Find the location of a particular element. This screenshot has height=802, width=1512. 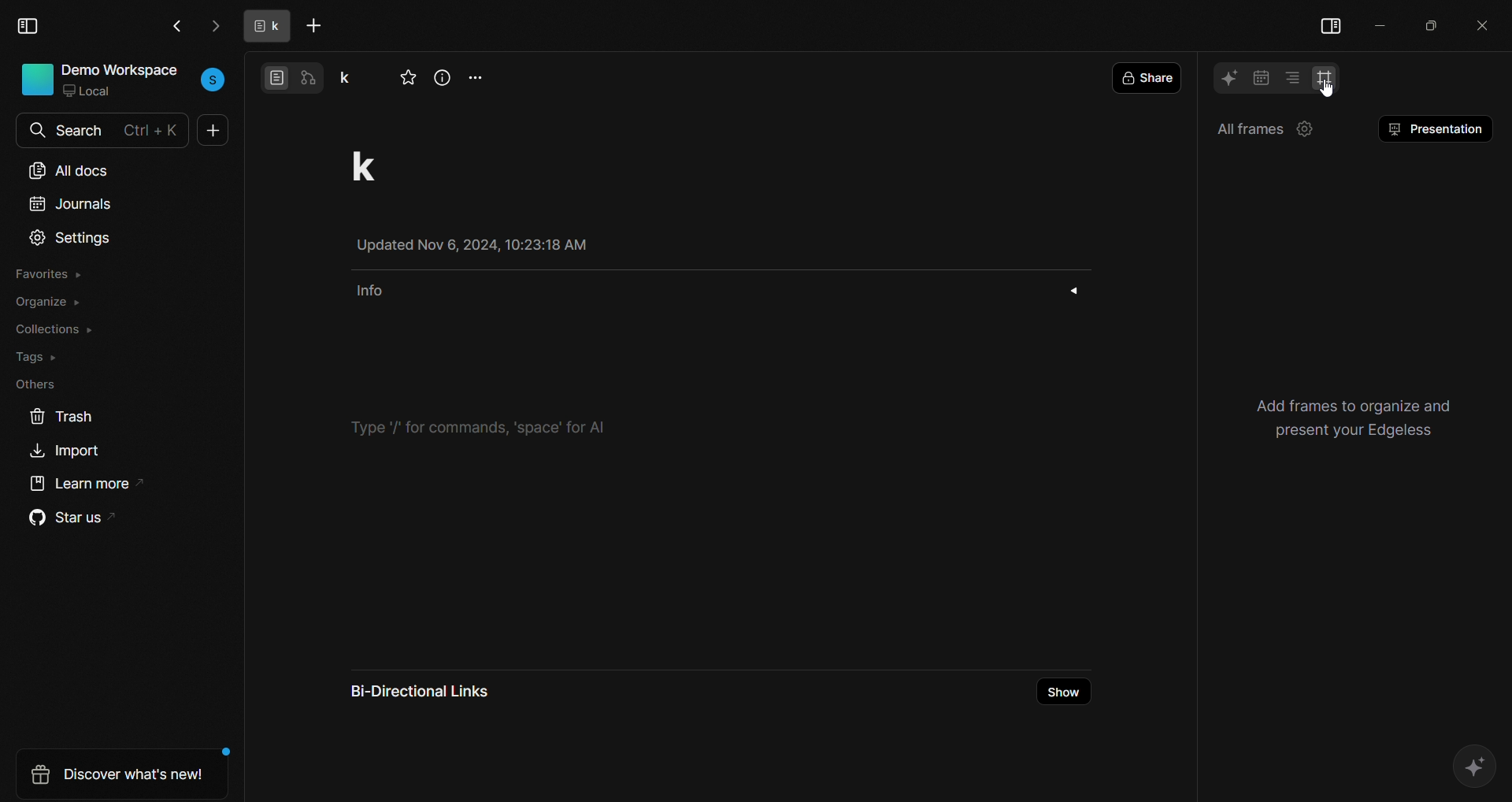

collections is located at coordinates (55, 329).